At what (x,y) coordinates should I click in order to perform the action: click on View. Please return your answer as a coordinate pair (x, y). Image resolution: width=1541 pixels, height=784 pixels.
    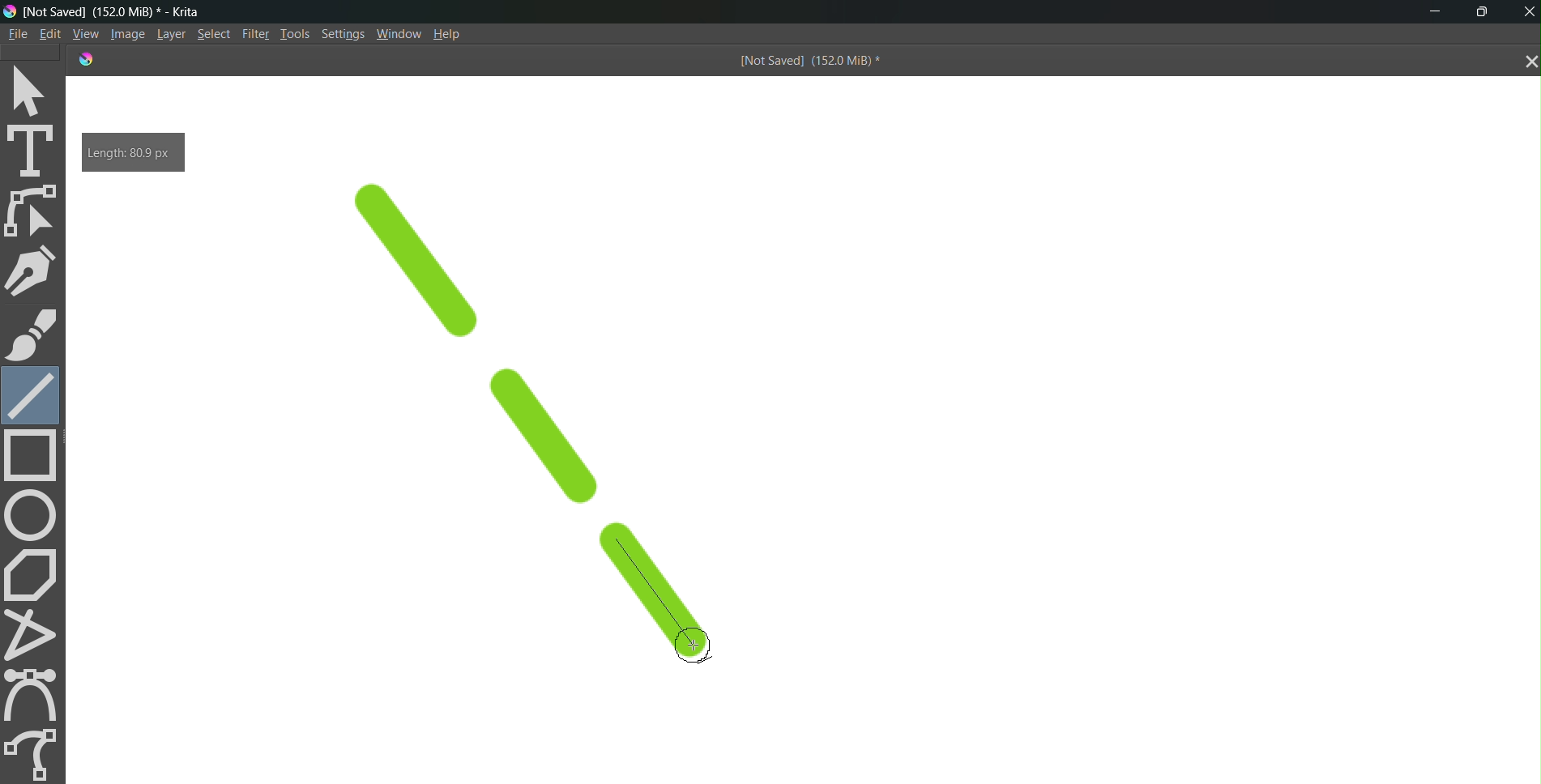
    Looking at the image, I should click on (83, 33).